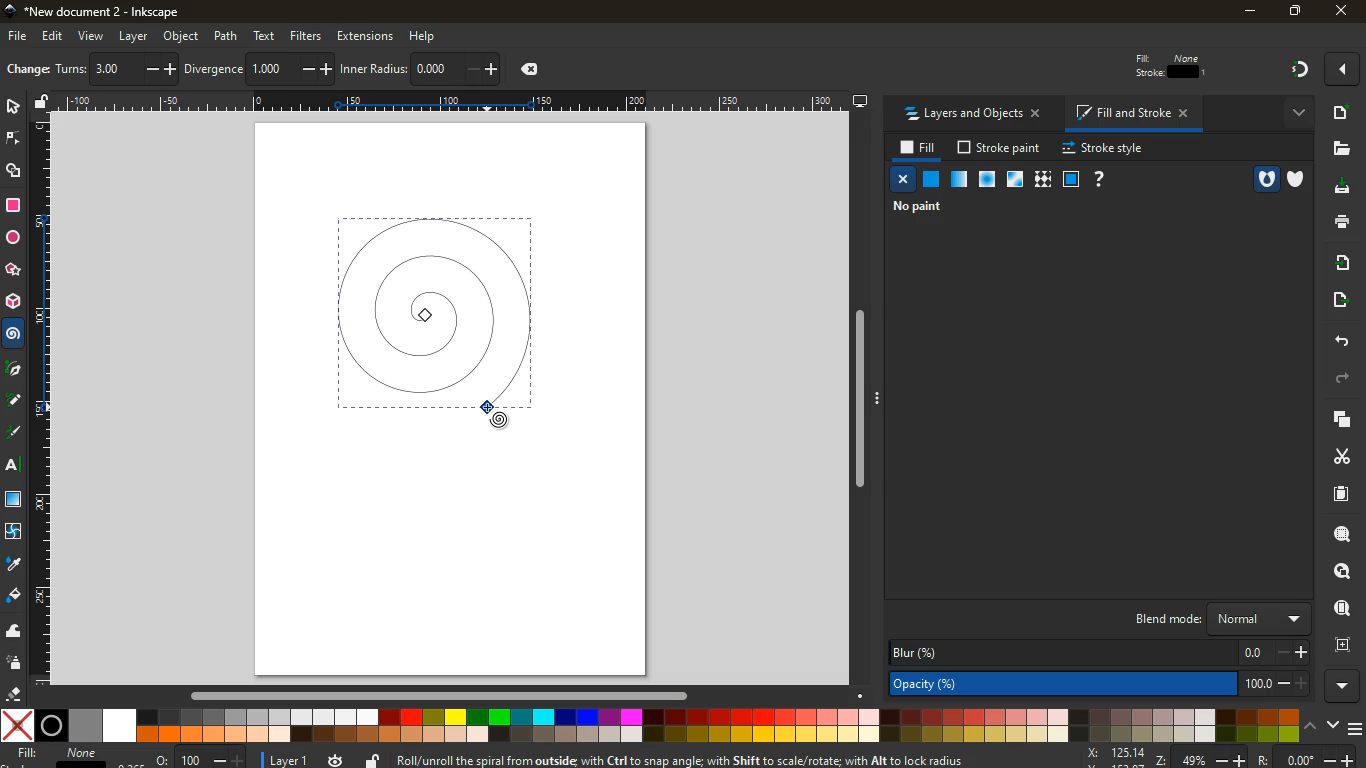 This screenshot has width=1366, height=768. Describe the element at coordinates (1343, 10) in the screenshot. I see `` at that location.